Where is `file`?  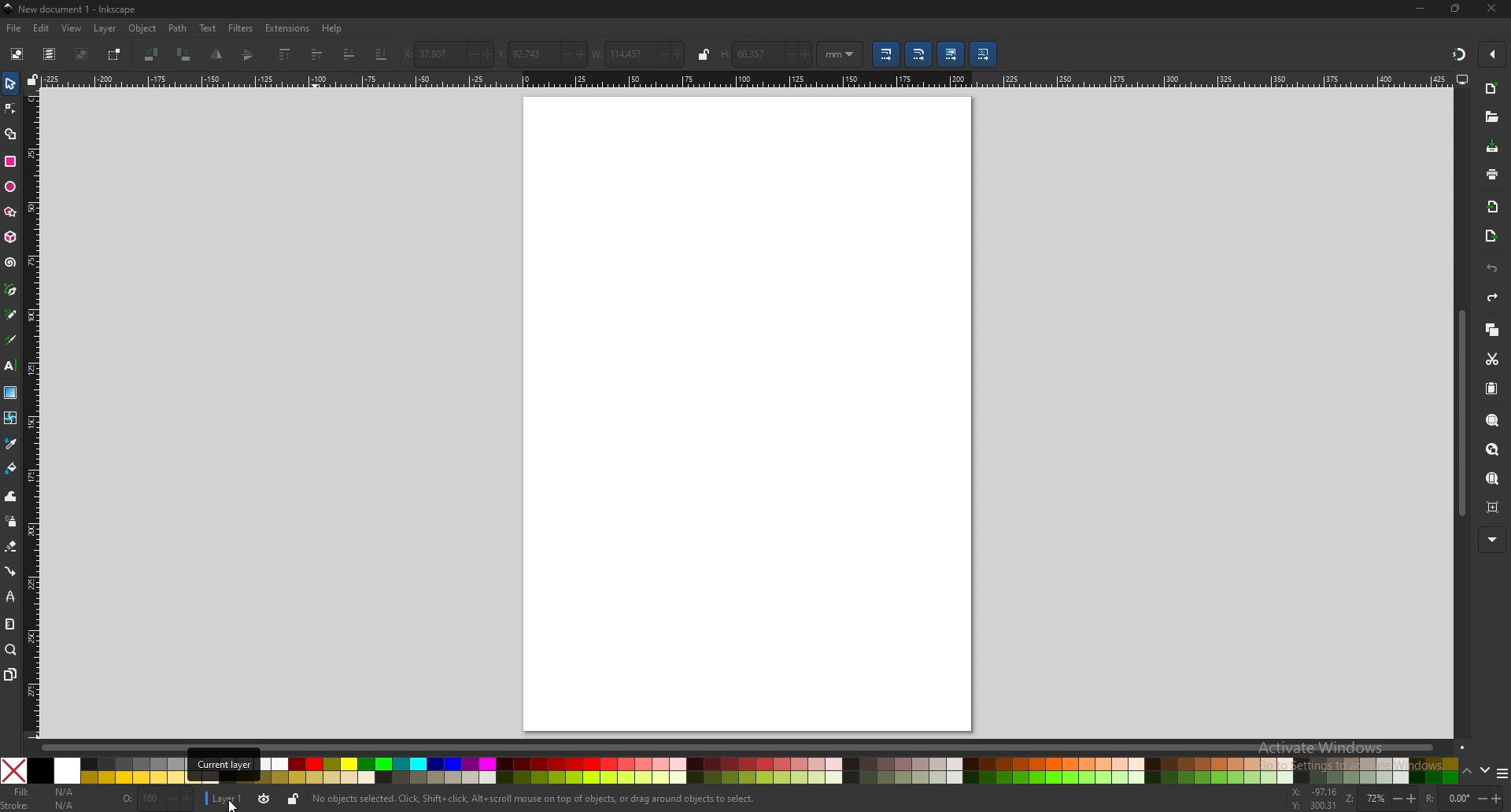
file is located at coordinates (14, 29).